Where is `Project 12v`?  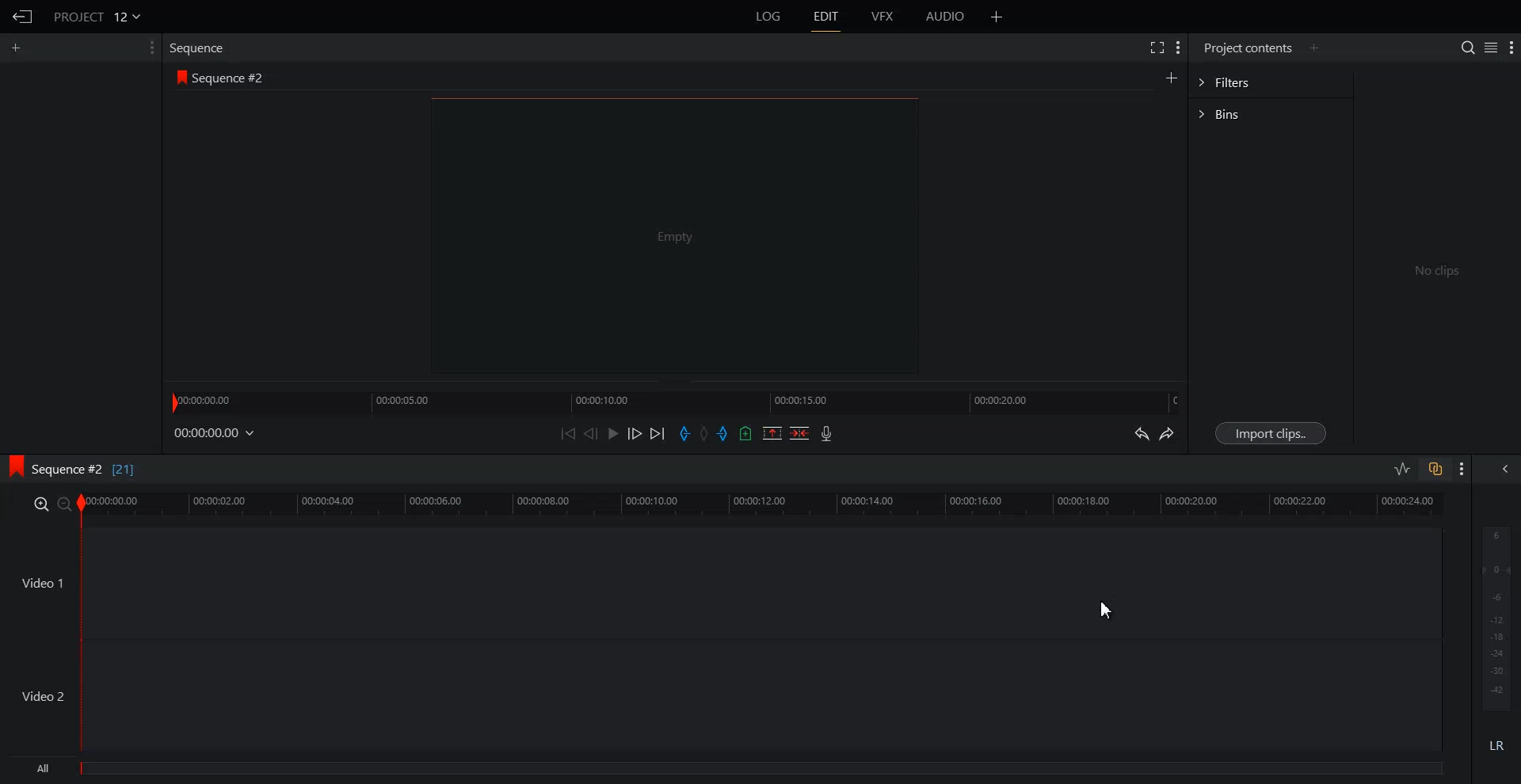 Project 12v is located at coordinates (97, 16).